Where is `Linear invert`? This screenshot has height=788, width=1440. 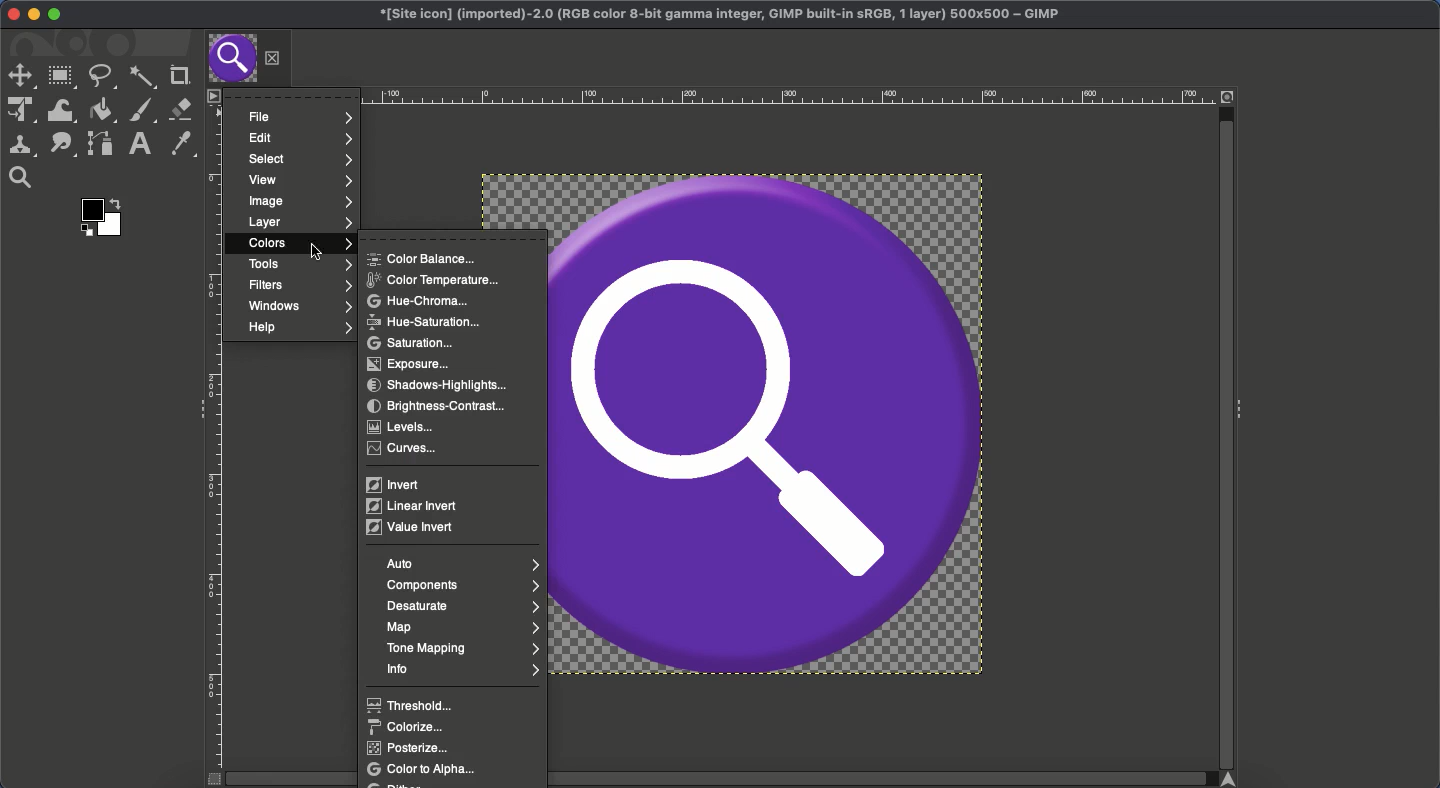
Linear invert is located at coordinates (415, 505).